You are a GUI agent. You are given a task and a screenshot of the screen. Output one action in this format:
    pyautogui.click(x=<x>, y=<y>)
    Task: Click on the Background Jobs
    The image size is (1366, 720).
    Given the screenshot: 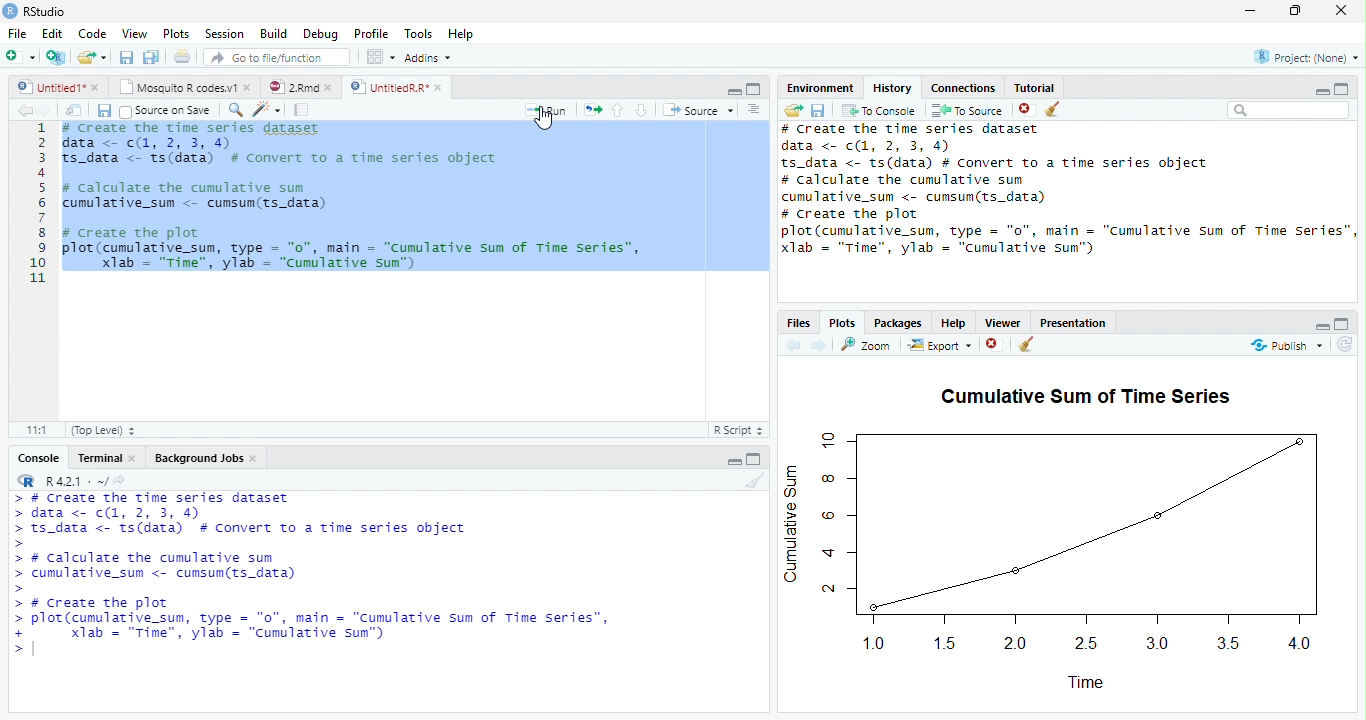 What is the action you would take?
    pyautogui.click(x=207, y=457)
    